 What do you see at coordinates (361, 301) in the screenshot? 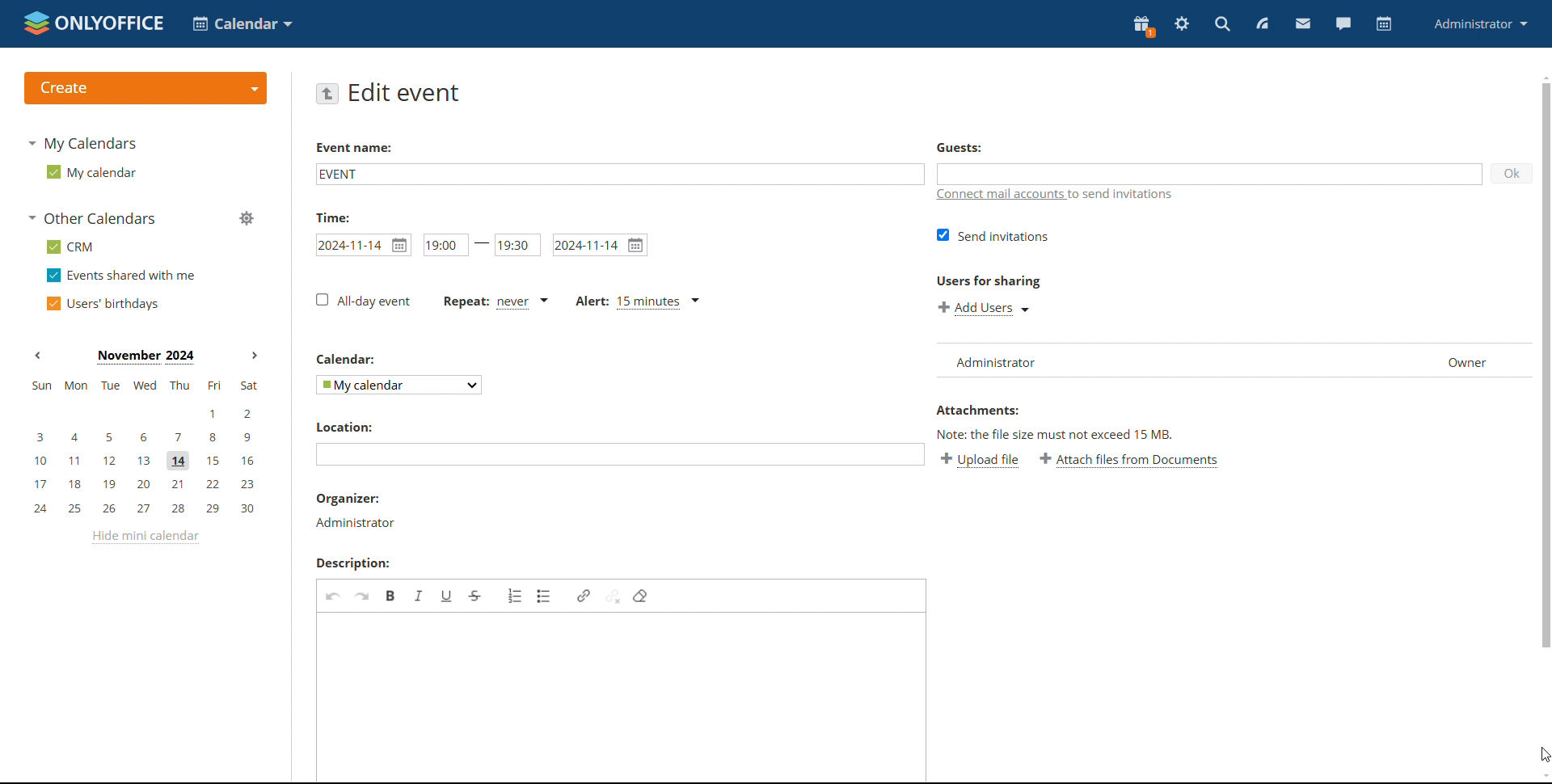
I see `all-day event checkbox` at bounding box center [361, 301].